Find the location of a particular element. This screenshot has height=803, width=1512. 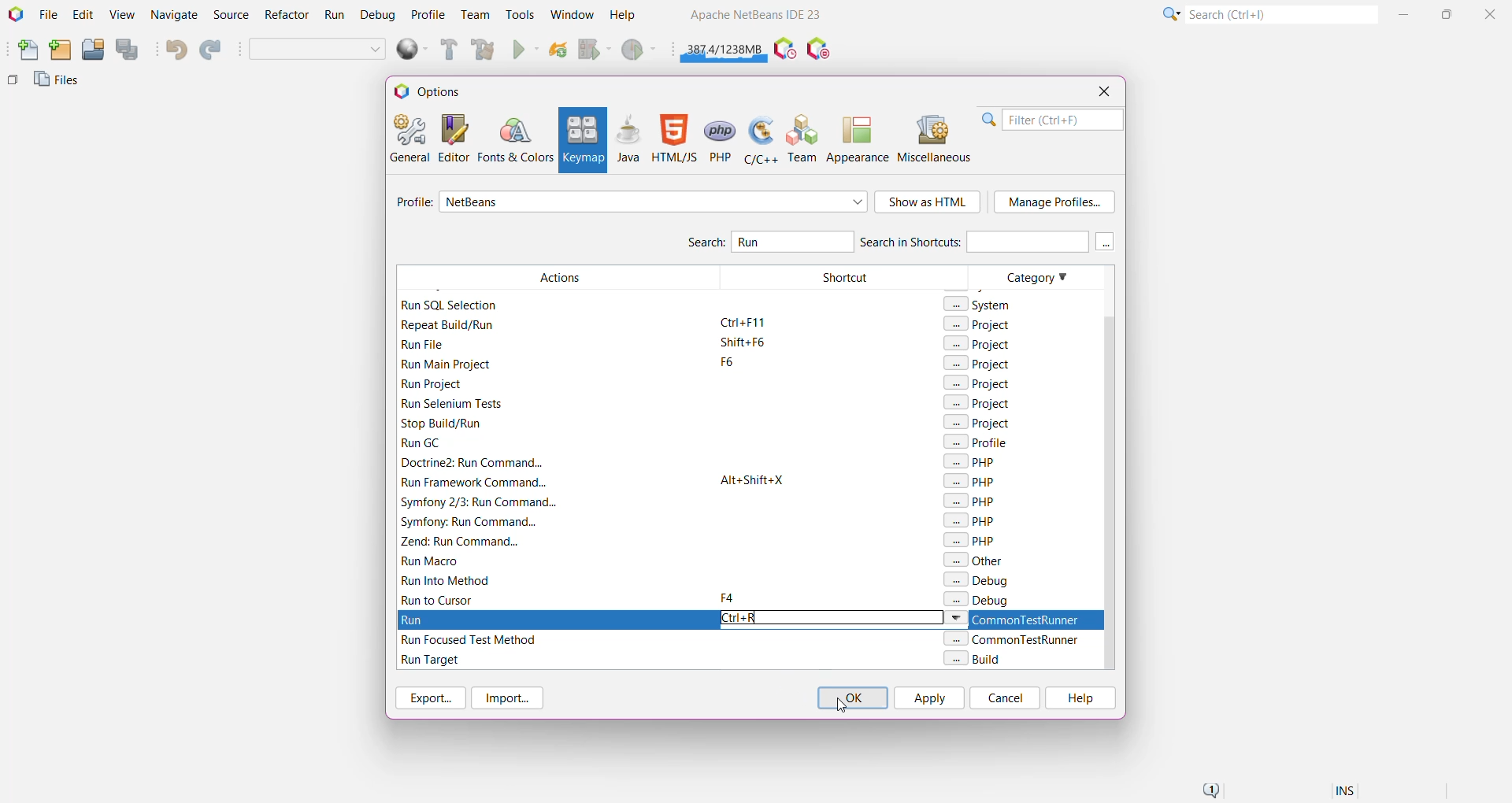

Run is located at coordinates (335, 17).